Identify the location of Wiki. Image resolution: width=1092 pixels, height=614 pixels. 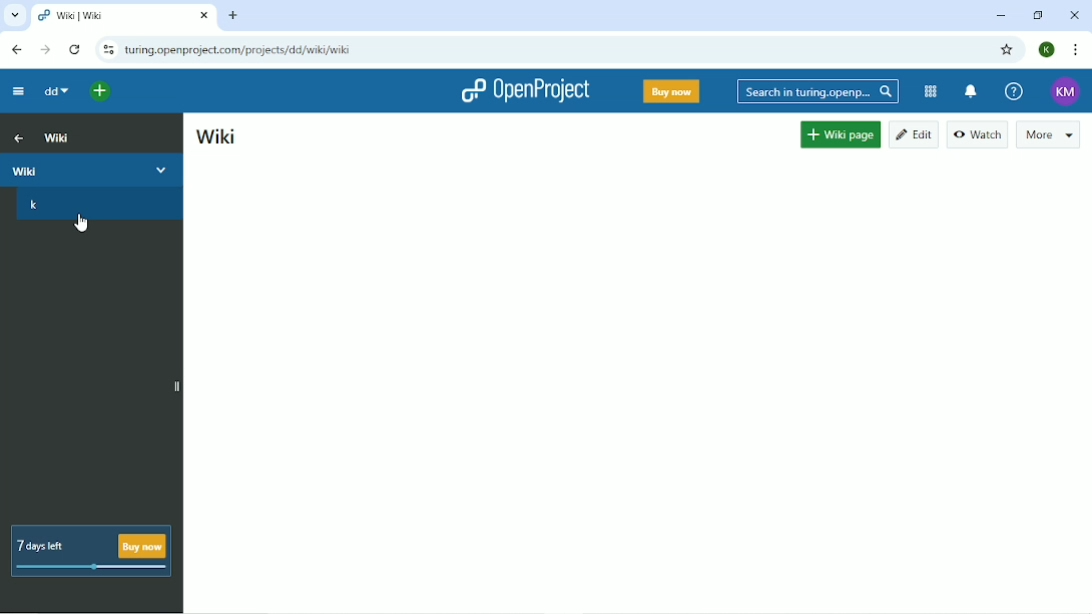
(214, 136).